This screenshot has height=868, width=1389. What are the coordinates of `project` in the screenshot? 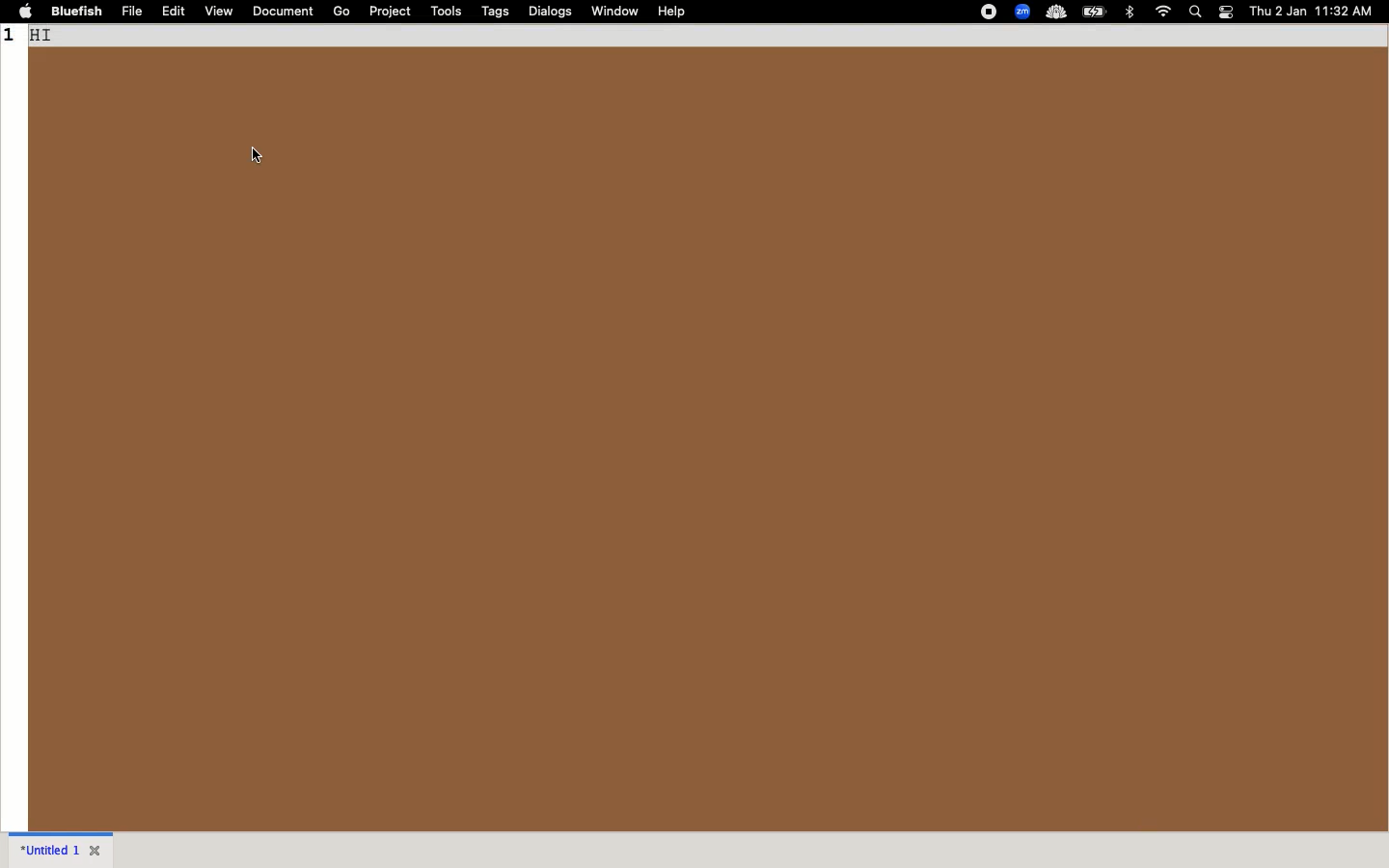 It's located at (389, 12).